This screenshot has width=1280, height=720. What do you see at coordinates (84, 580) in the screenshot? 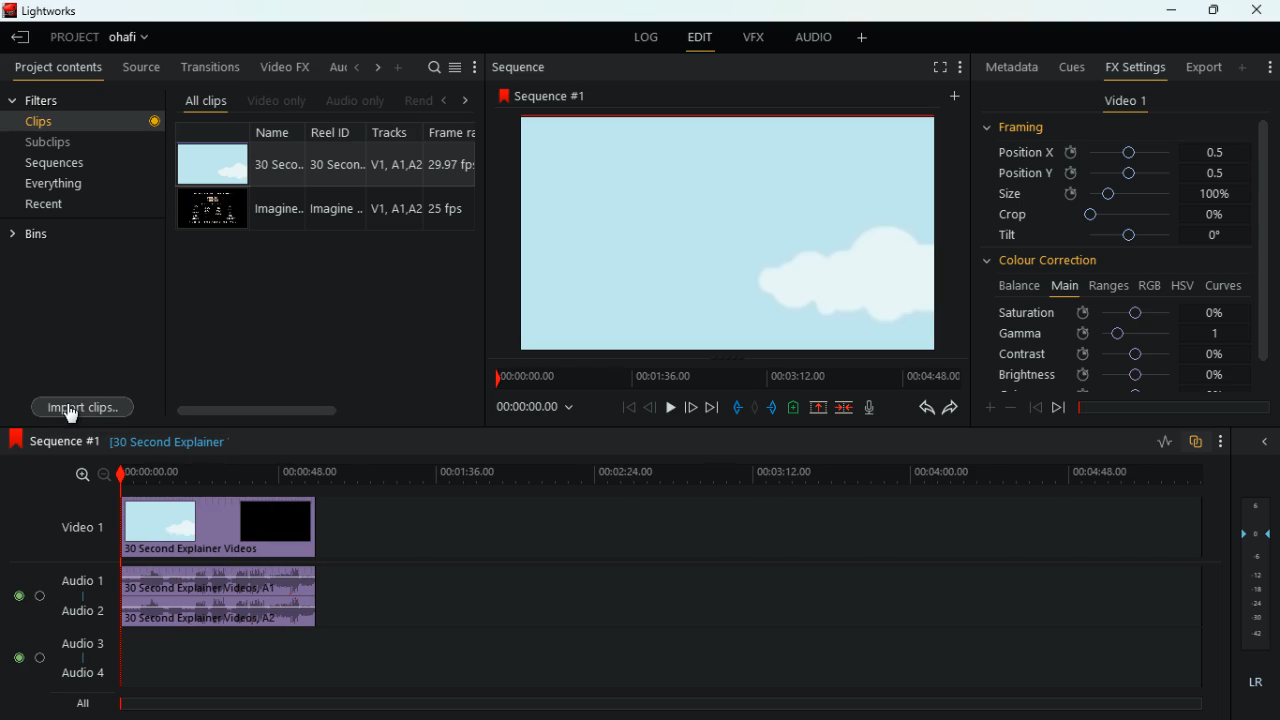
I see `audio 1` at bounding box center [84, 580].